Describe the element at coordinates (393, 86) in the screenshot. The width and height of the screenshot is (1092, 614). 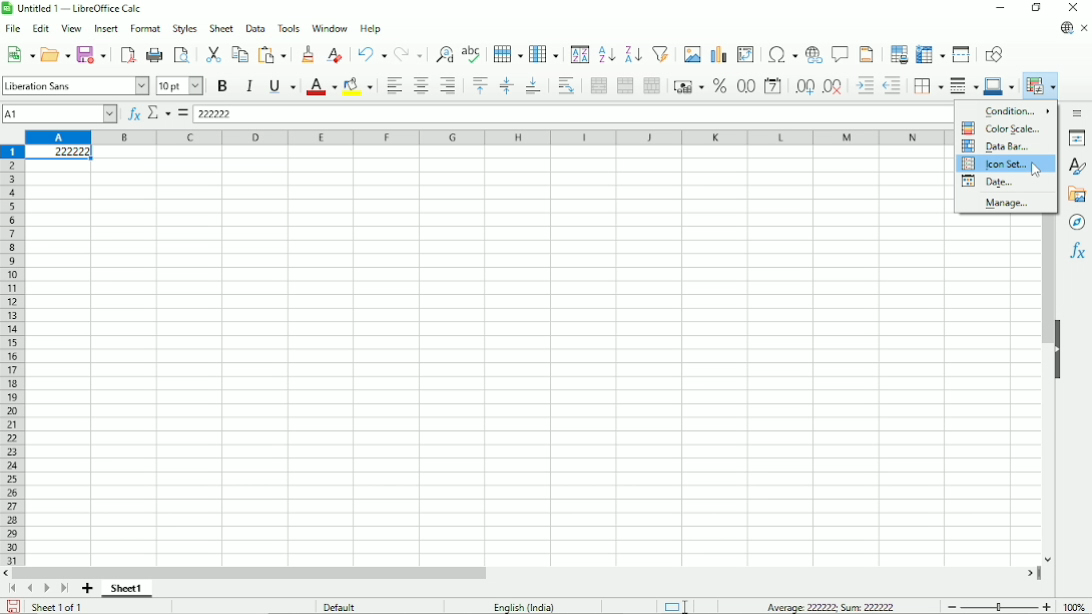
I see `Align left` at that location.